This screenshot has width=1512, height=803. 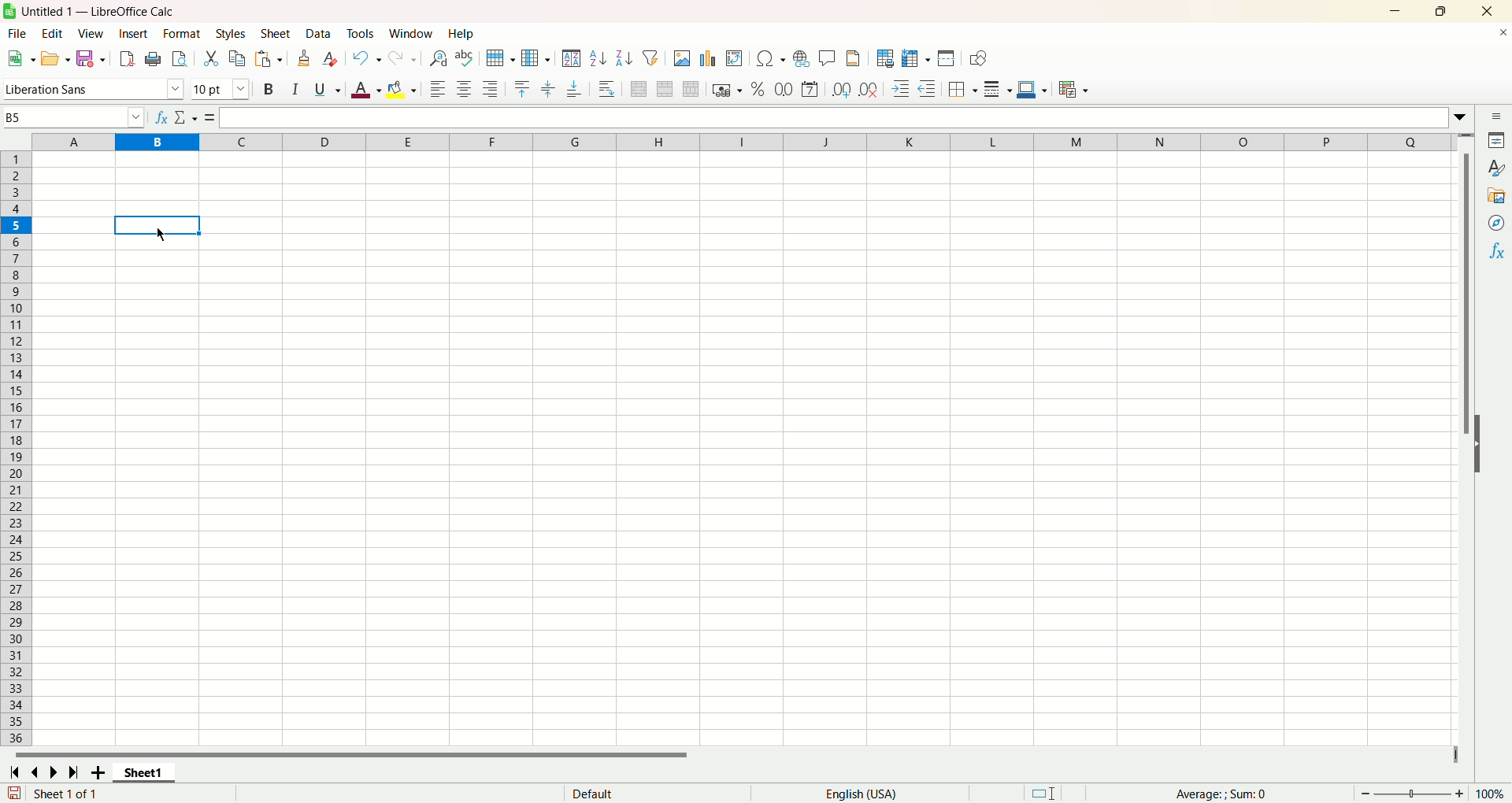 I want to click on draw function, so click(x=976, y=58).